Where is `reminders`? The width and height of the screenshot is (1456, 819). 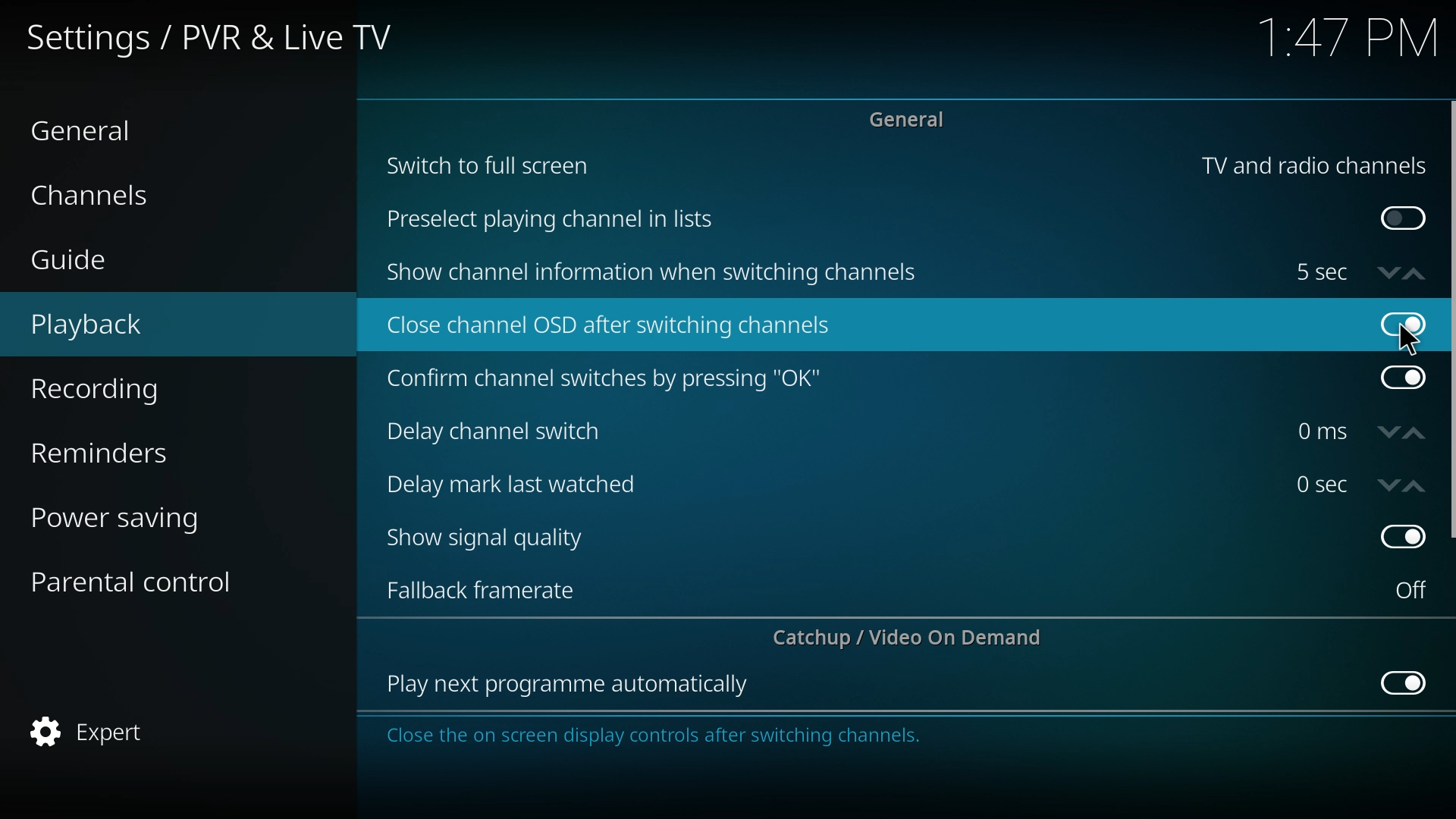
reminders is located at coordinates (136, 450).